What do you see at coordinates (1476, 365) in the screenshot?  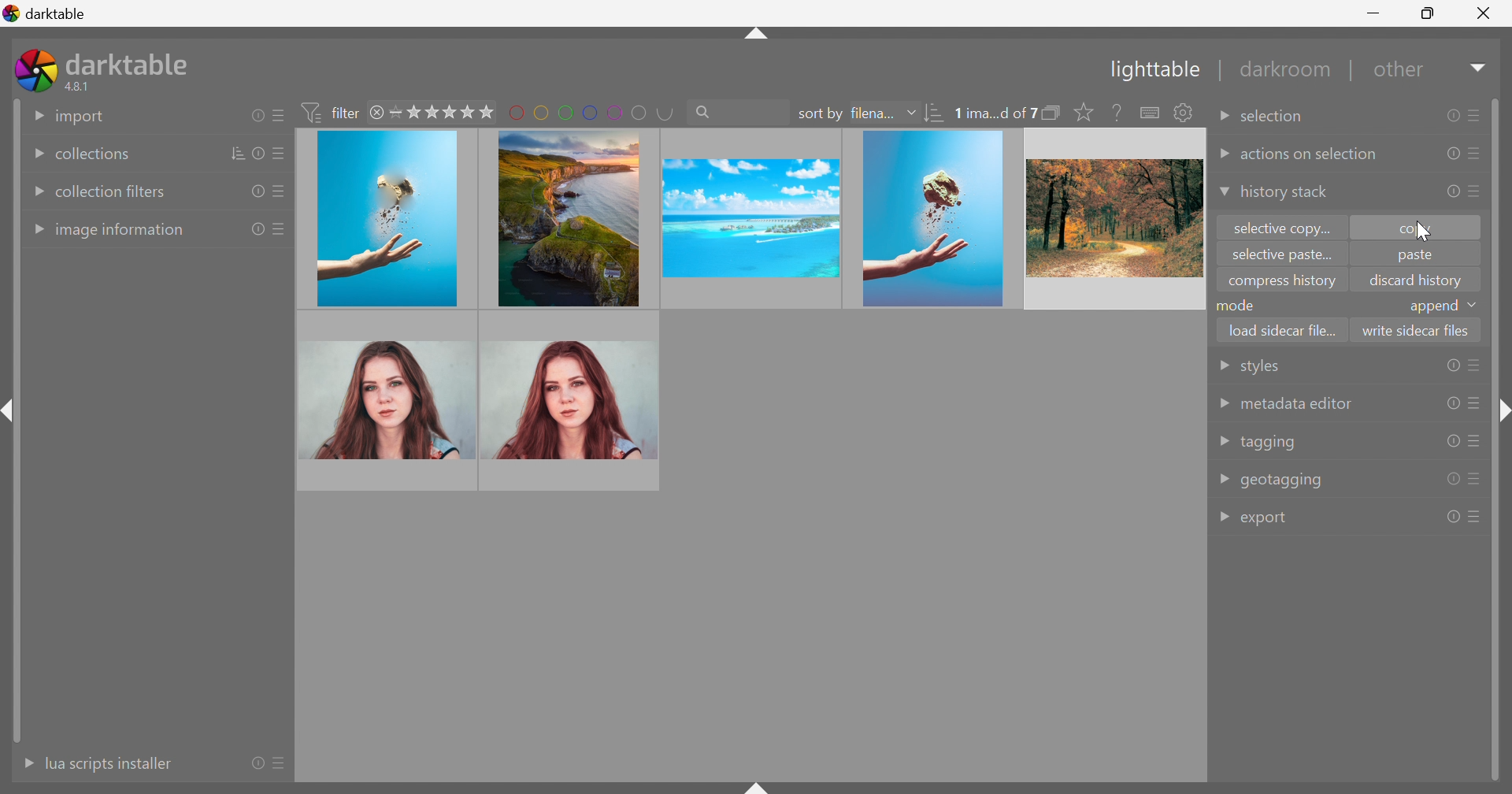 I see `presets` at bounding box center [1476, 365].